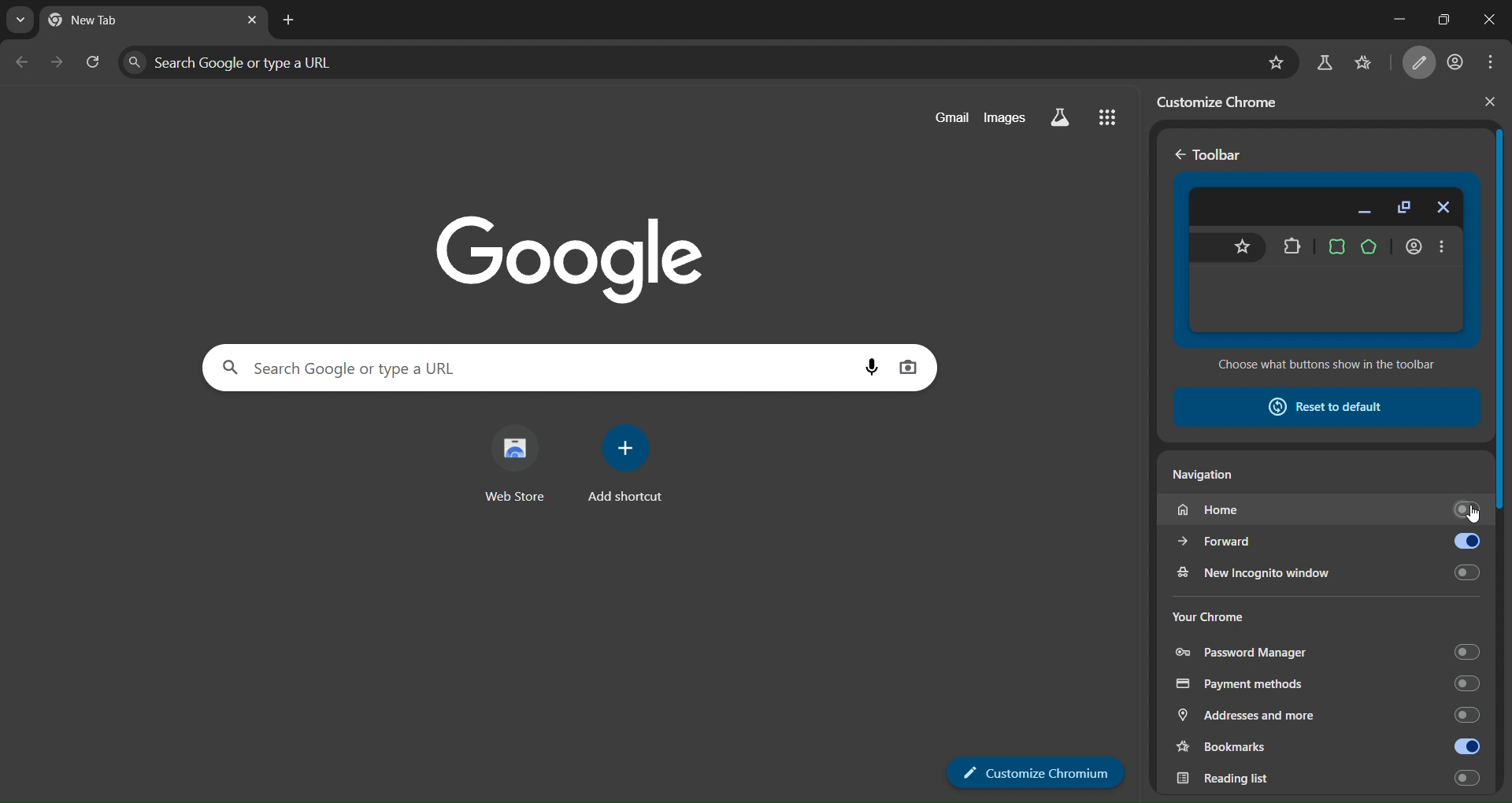 The height and width of the screenshot is (803, 1512). Describe the element at coordinates (94, 65) in the screenshot. I see `reload page` at that location.